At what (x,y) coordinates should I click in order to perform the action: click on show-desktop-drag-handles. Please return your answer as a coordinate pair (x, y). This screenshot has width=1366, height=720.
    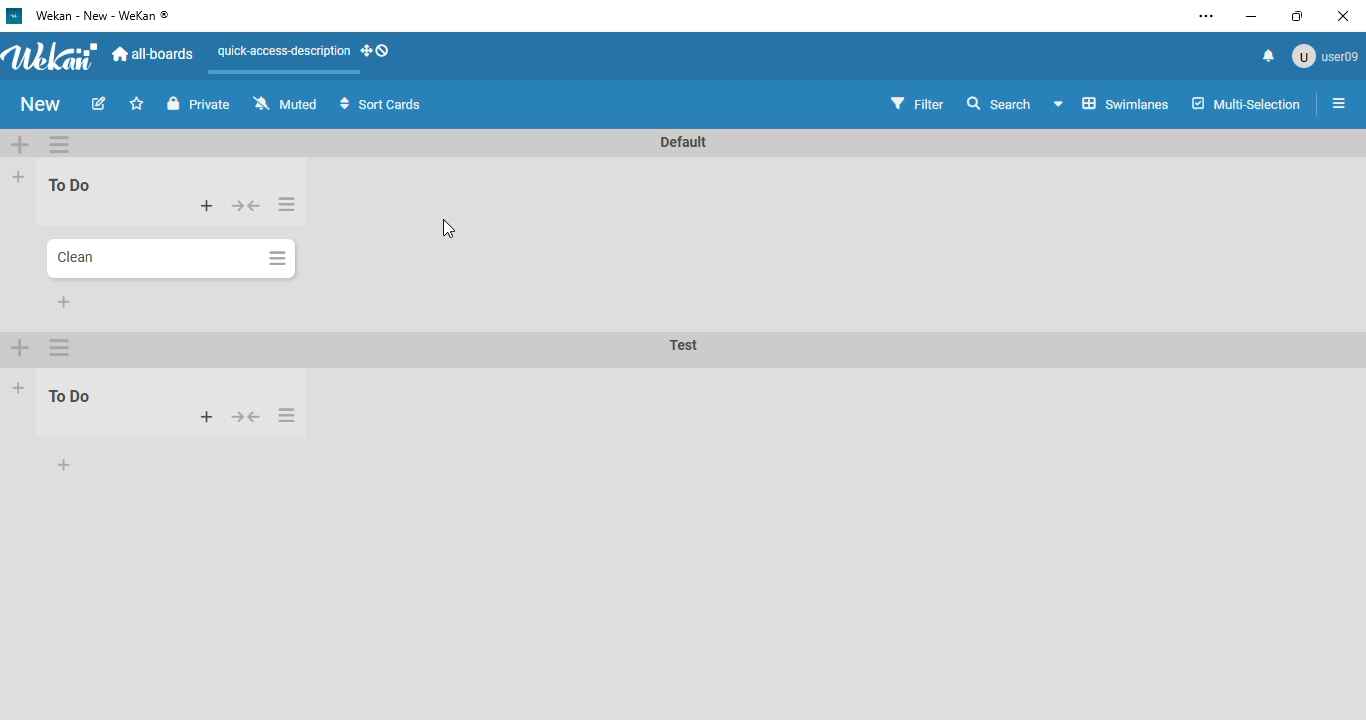
    Looking at the image, I should click on (375, 51).